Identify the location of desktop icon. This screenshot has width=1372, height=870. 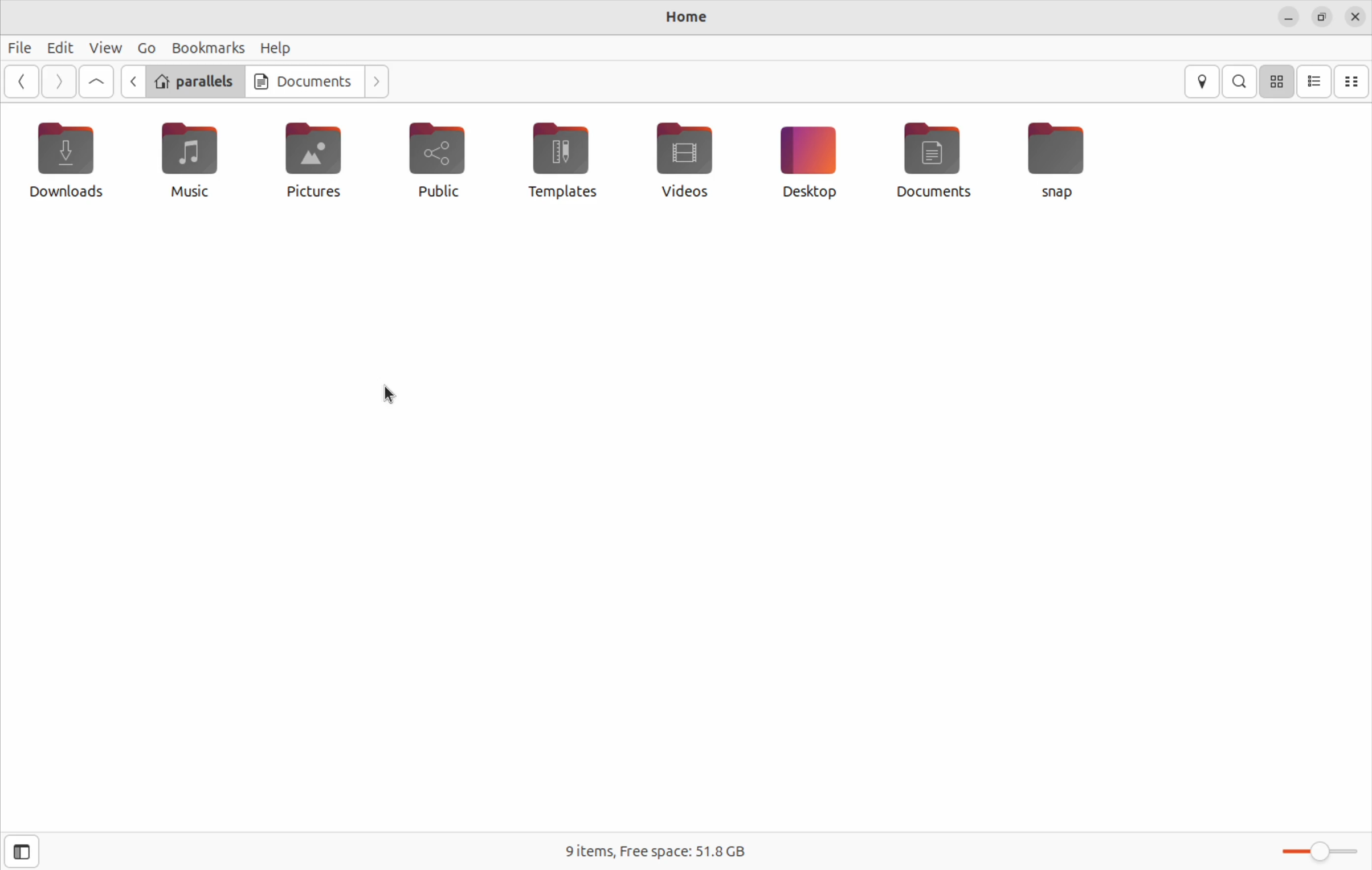
(818, 164).